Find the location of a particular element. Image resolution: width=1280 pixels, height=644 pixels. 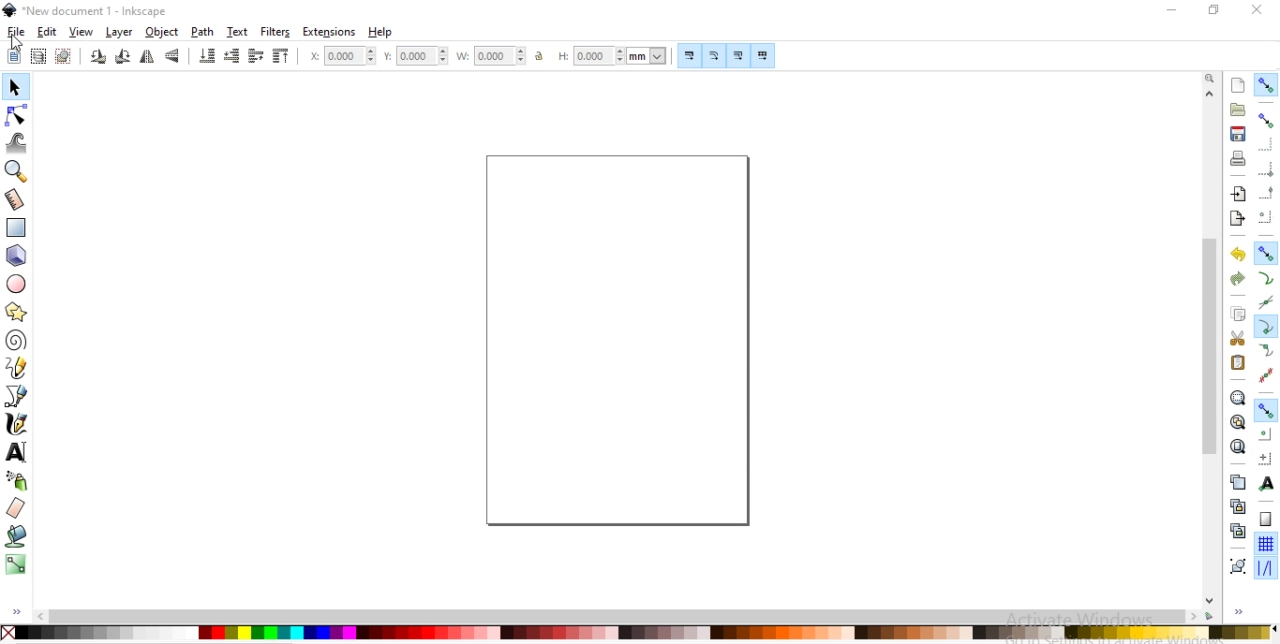

create and edit gradients is located at coordinates (16, 564).